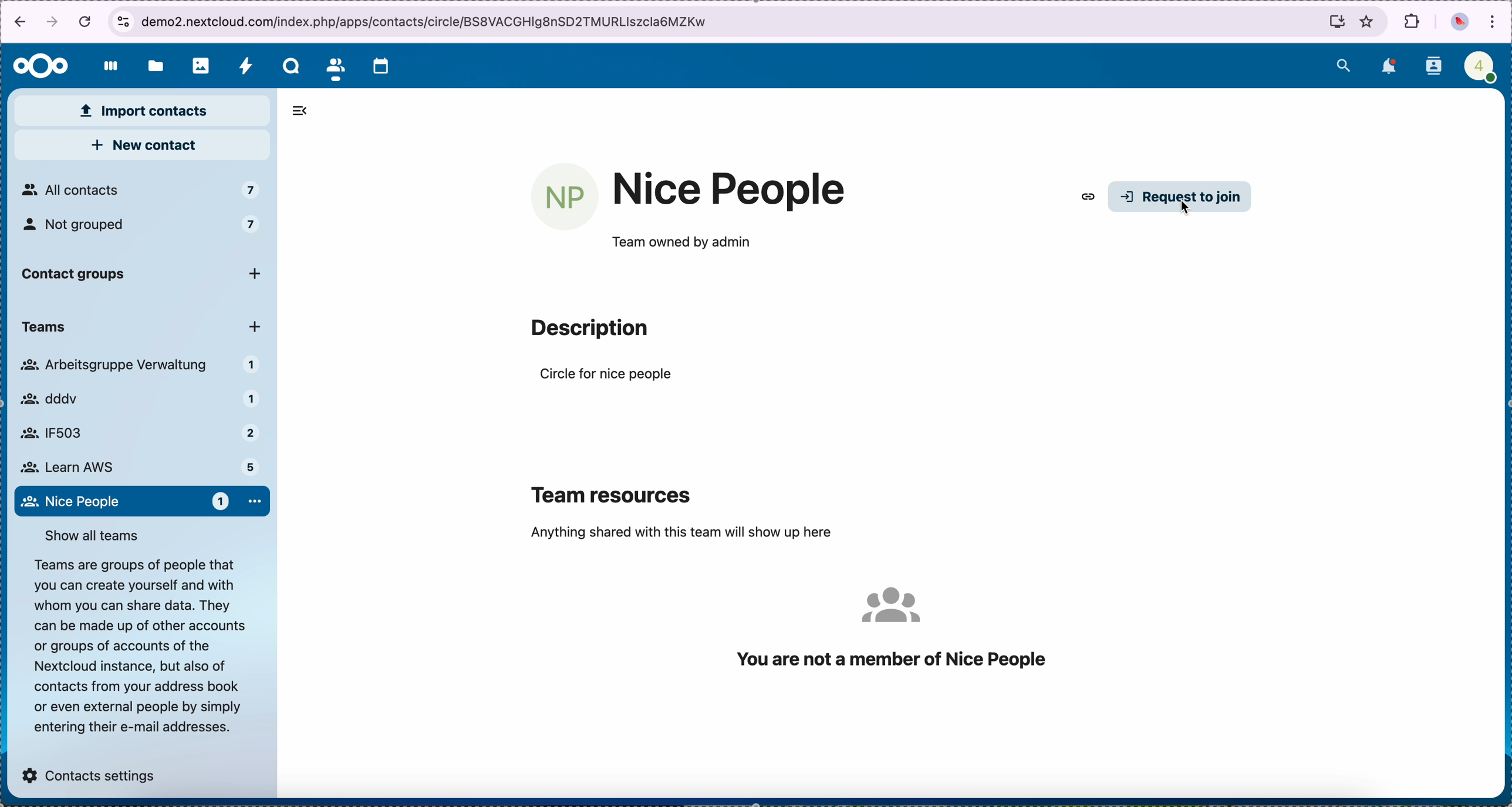 The height and width of the screenshot is (807, 1512). I want to click on activity, so click(245, 66).